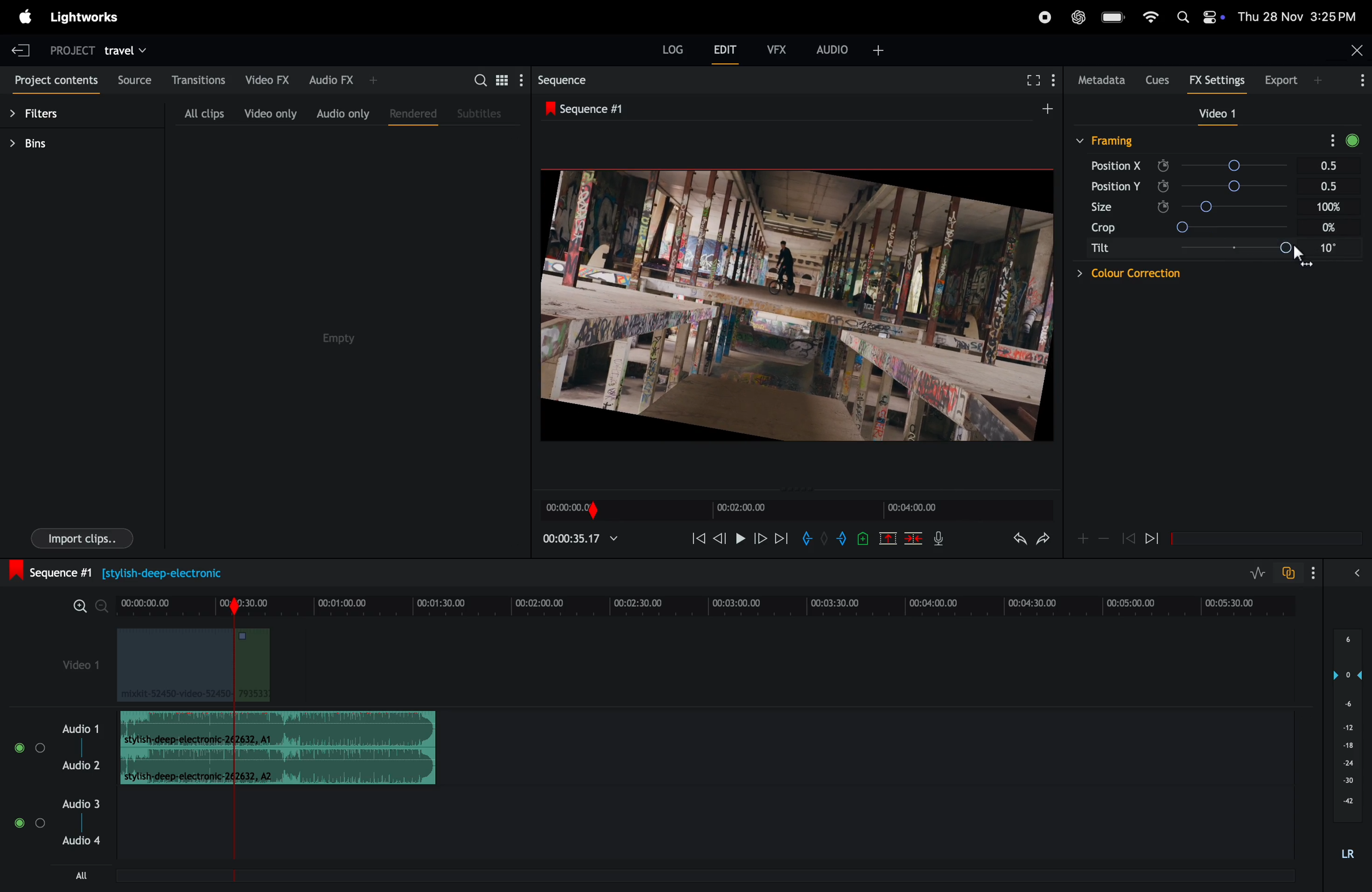  What do you see at coordinates (1197, 18) in the screenshot?
I see `apple widgets` at bounding box center [1197, 18].